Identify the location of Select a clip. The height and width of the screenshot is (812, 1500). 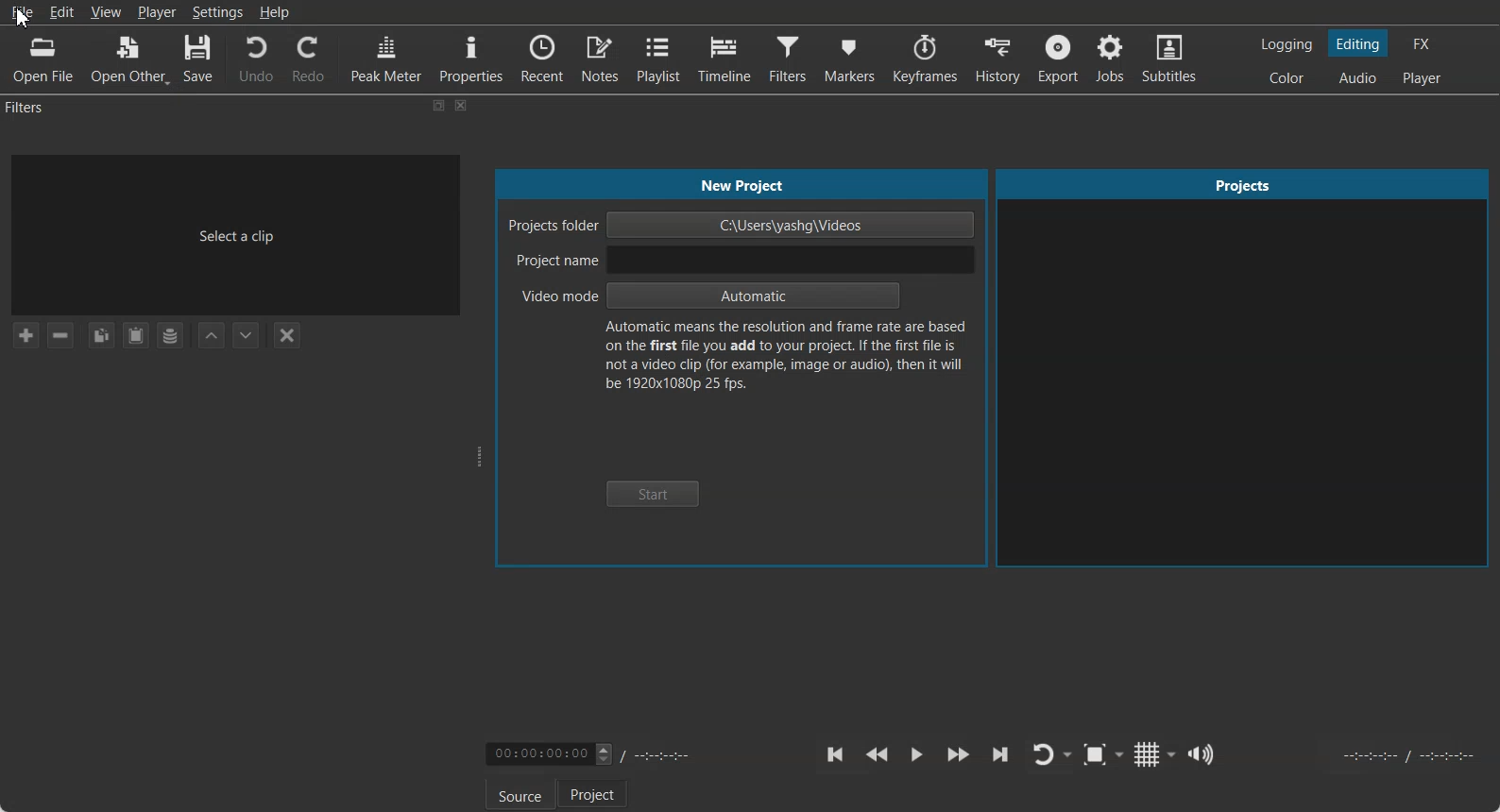
(236, 232).